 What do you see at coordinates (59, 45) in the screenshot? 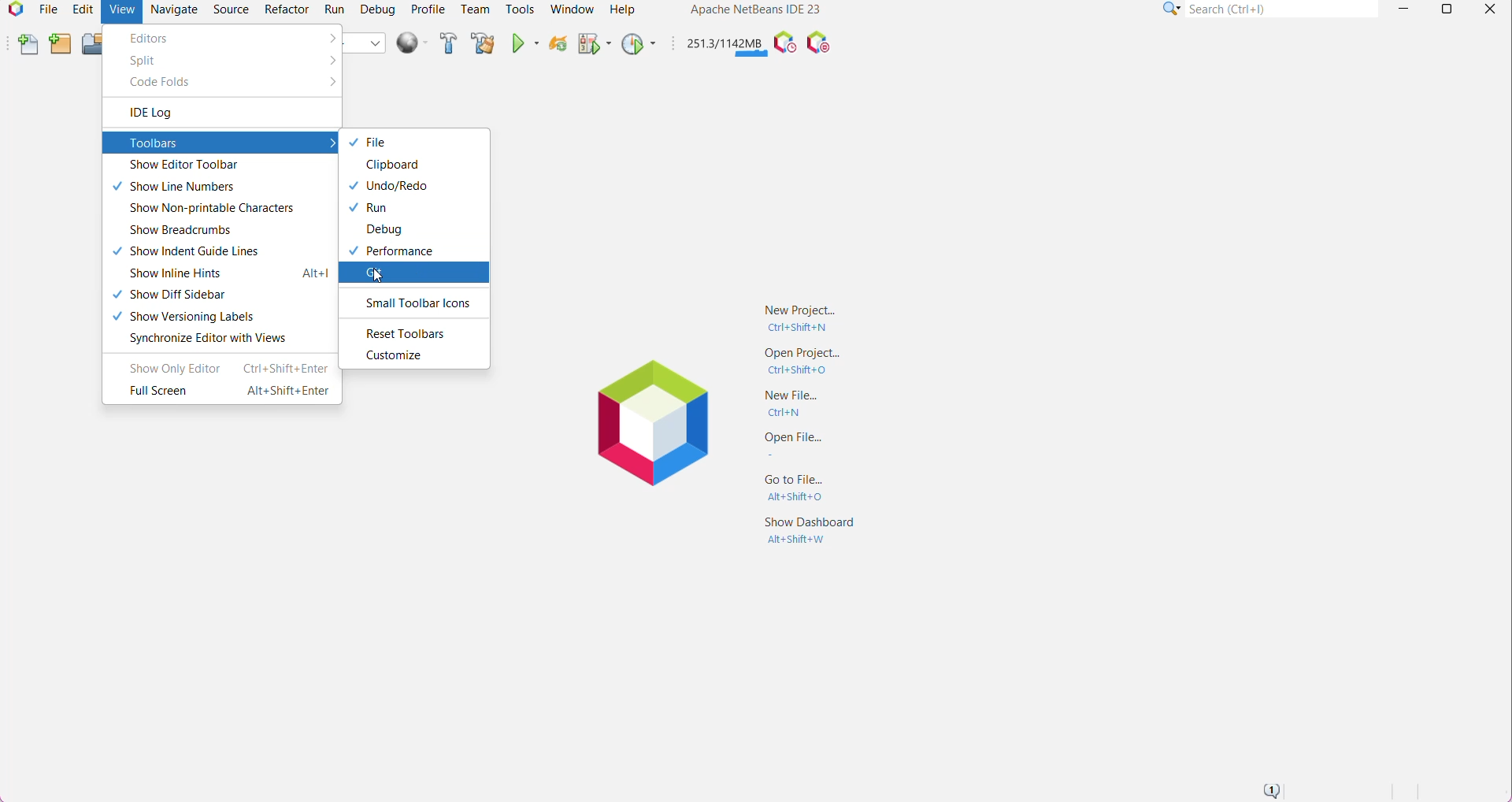
I see `New Project` at bounding box center [59, 45].